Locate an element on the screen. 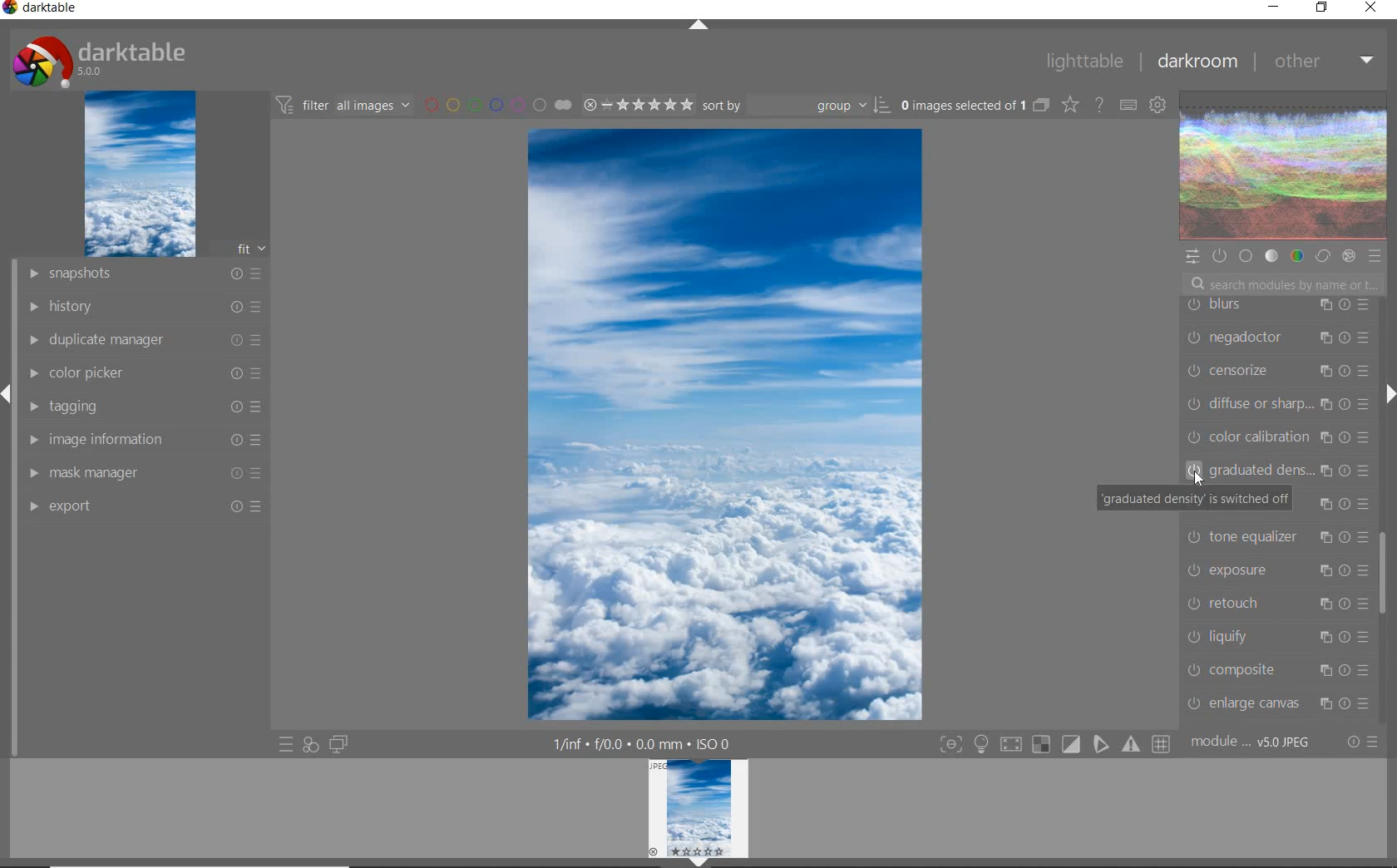 This screenshot has height=868, width=1397. DEFINE KEYBOARD SHORTCUT is located at coordinates (1128, 106).